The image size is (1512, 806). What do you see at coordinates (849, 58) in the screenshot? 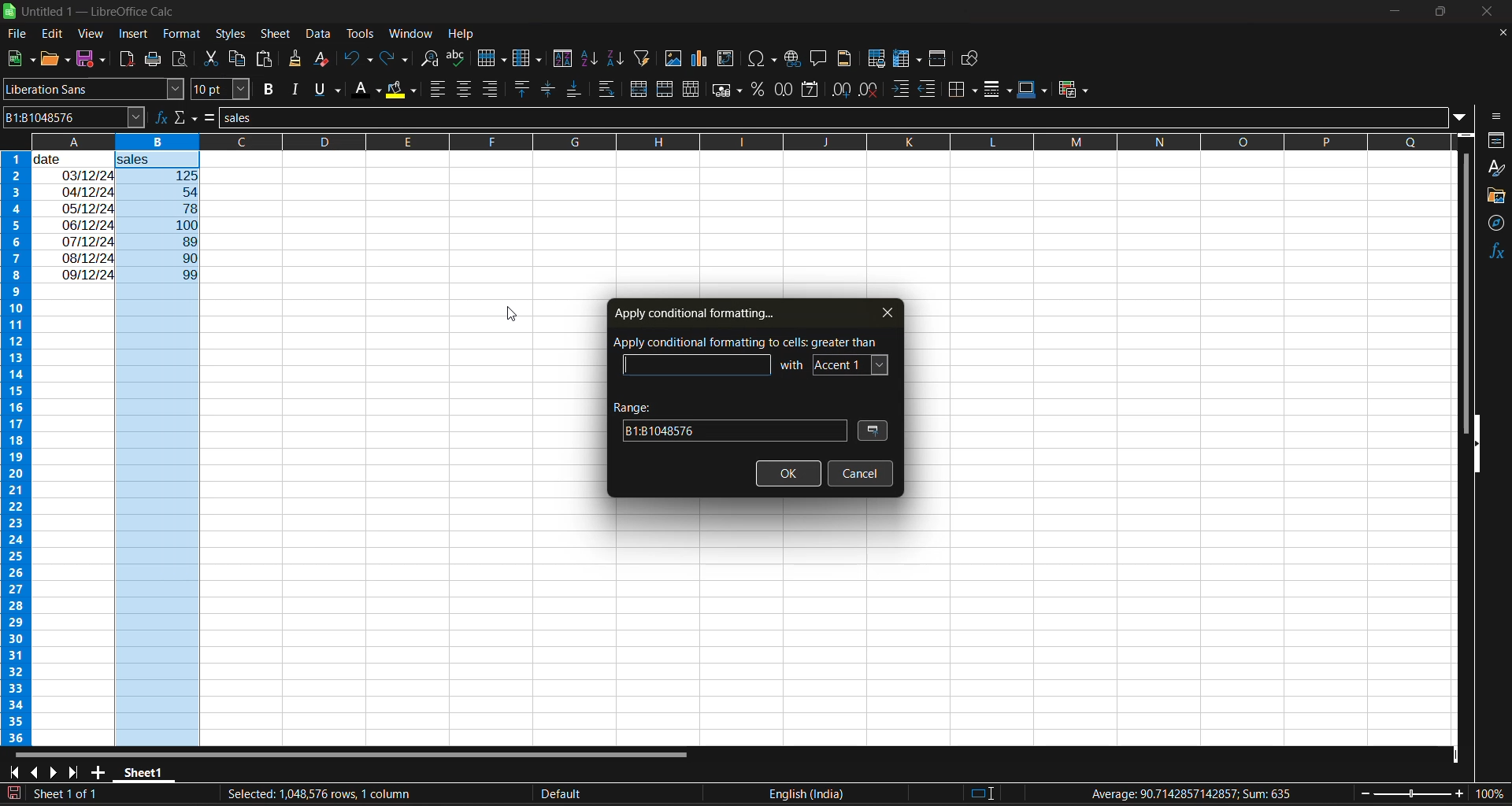
I see `headers and footers` at bounding box center [849, 58].